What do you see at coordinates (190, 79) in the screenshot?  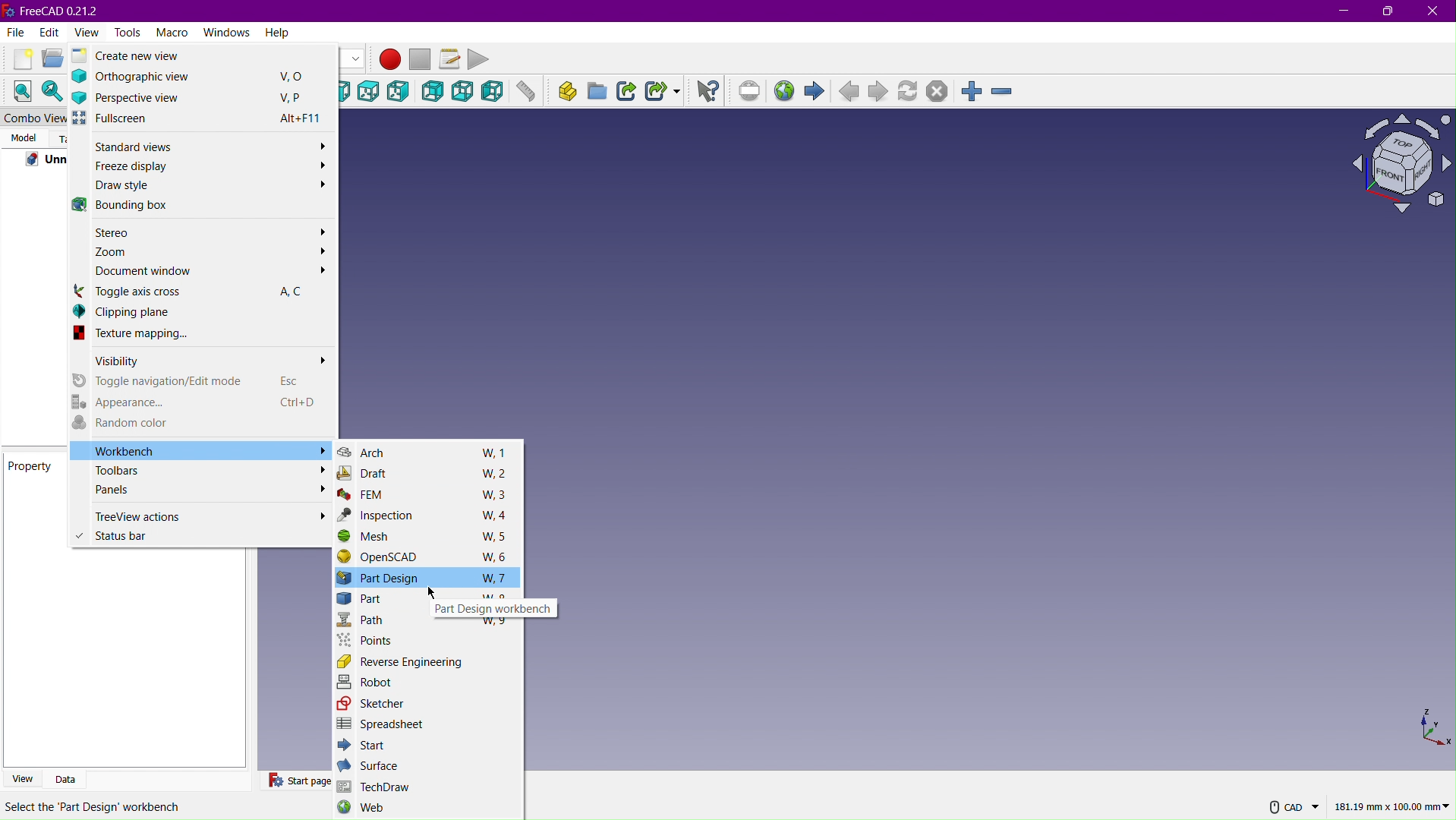 I see `Orthographic View V,O` at bounding box center [190, 79].